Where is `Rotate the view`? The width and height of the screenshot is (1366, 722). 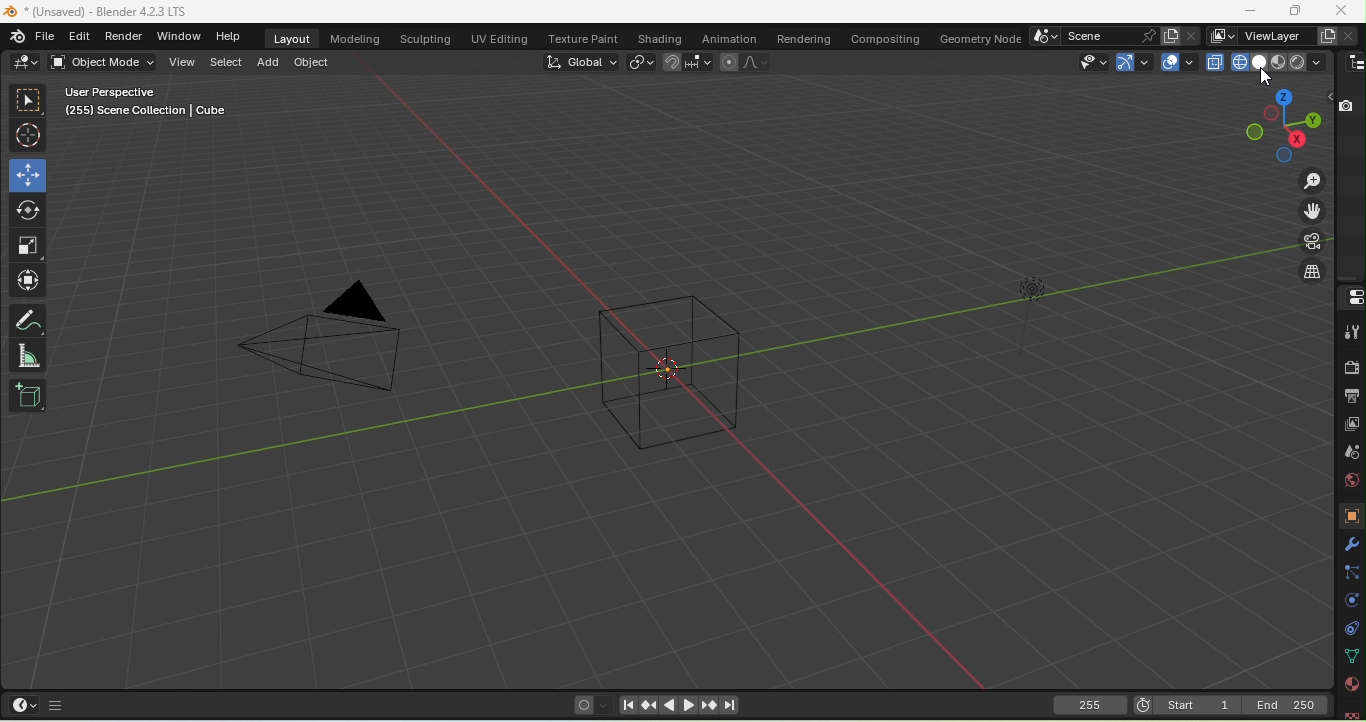 Rotate the view is located at coordinates (1284, 156).